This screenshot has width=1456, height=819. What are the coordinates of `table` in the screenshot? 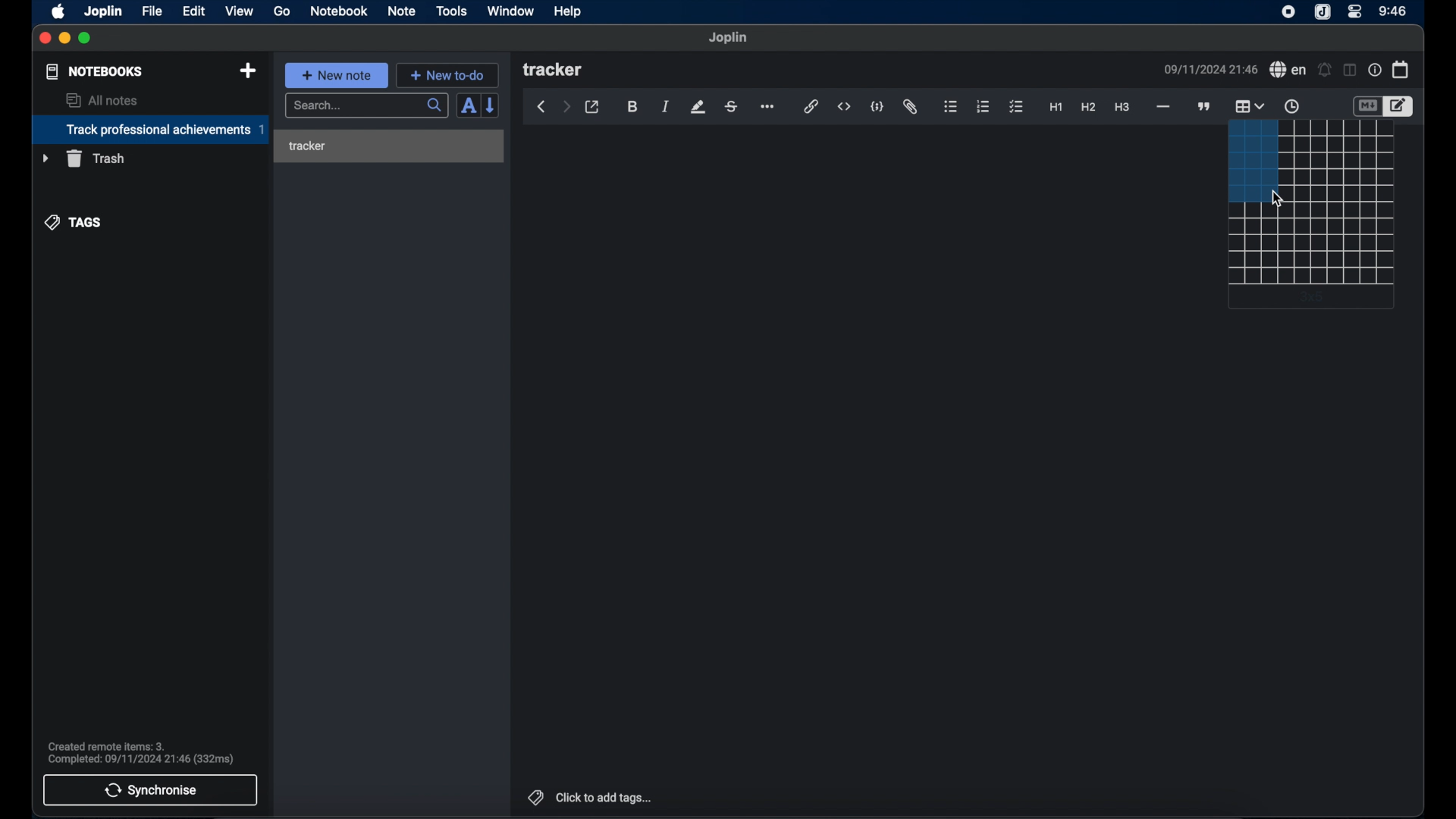 It's located at (1310, 245).